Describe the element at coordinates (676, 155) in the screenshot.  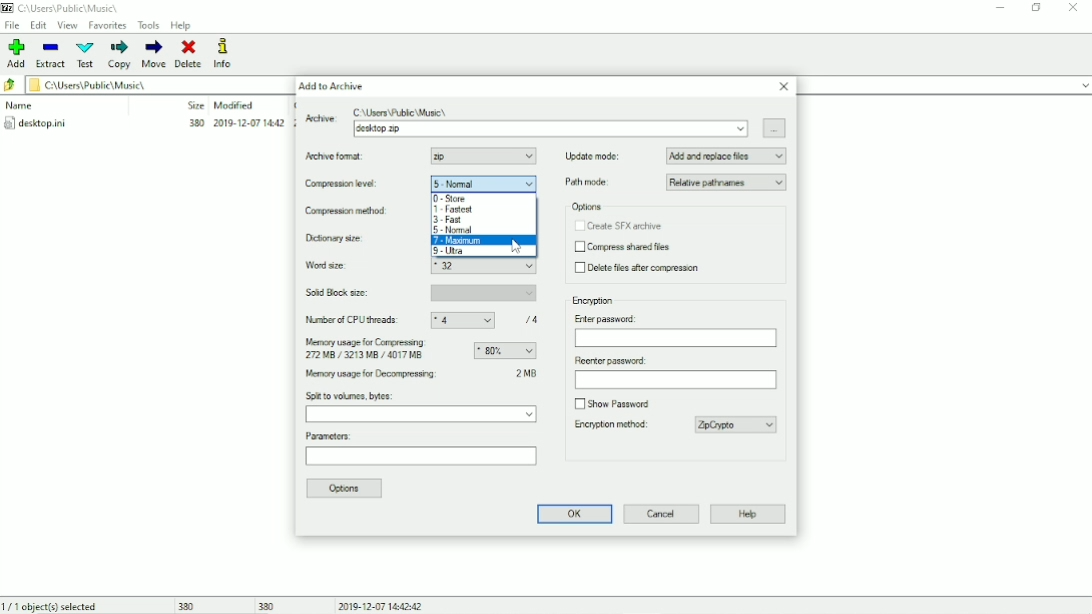
I see `Update mode` at that location.